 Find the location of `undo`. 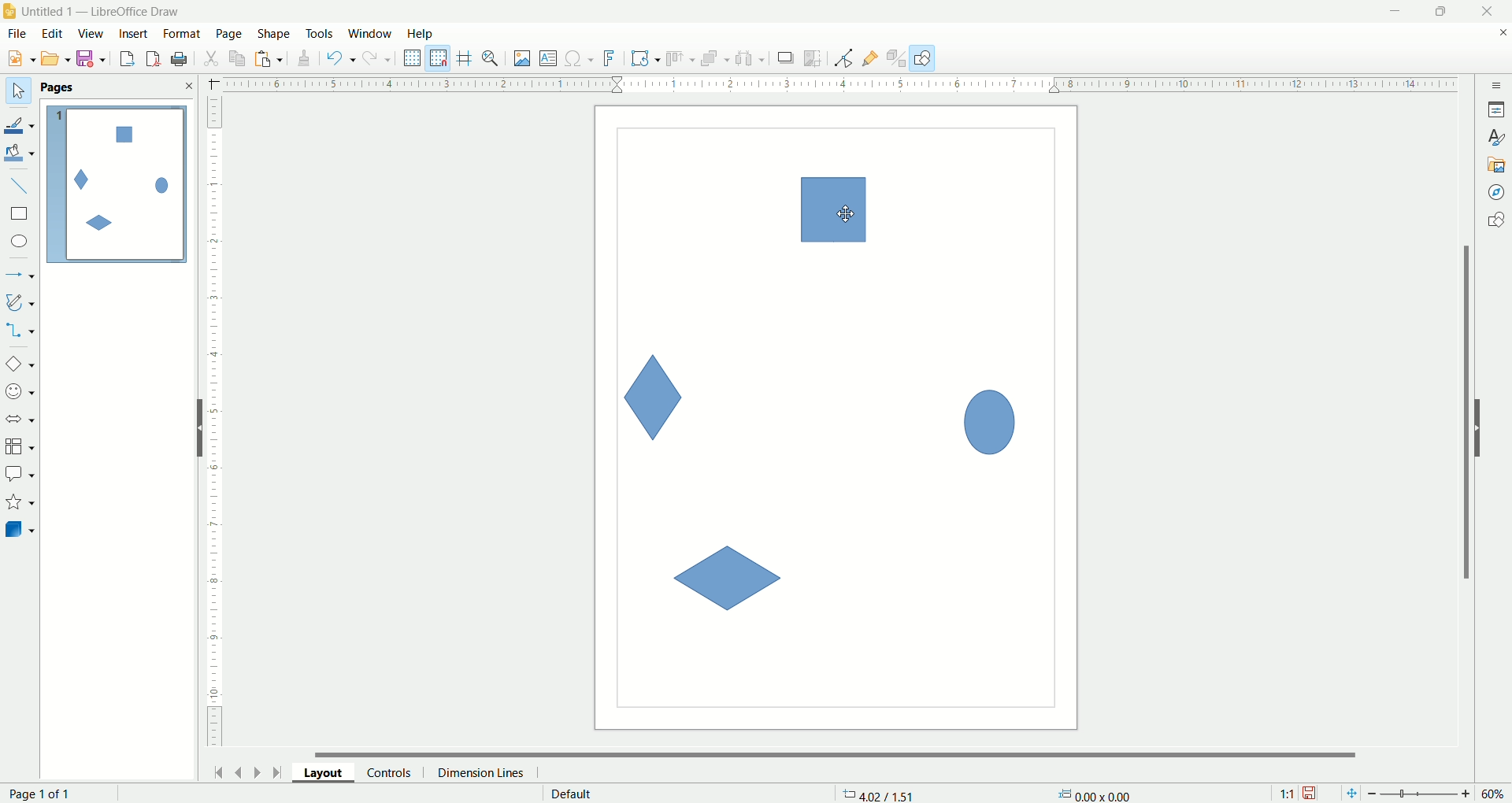

undo is located at coordinates (341, 58).